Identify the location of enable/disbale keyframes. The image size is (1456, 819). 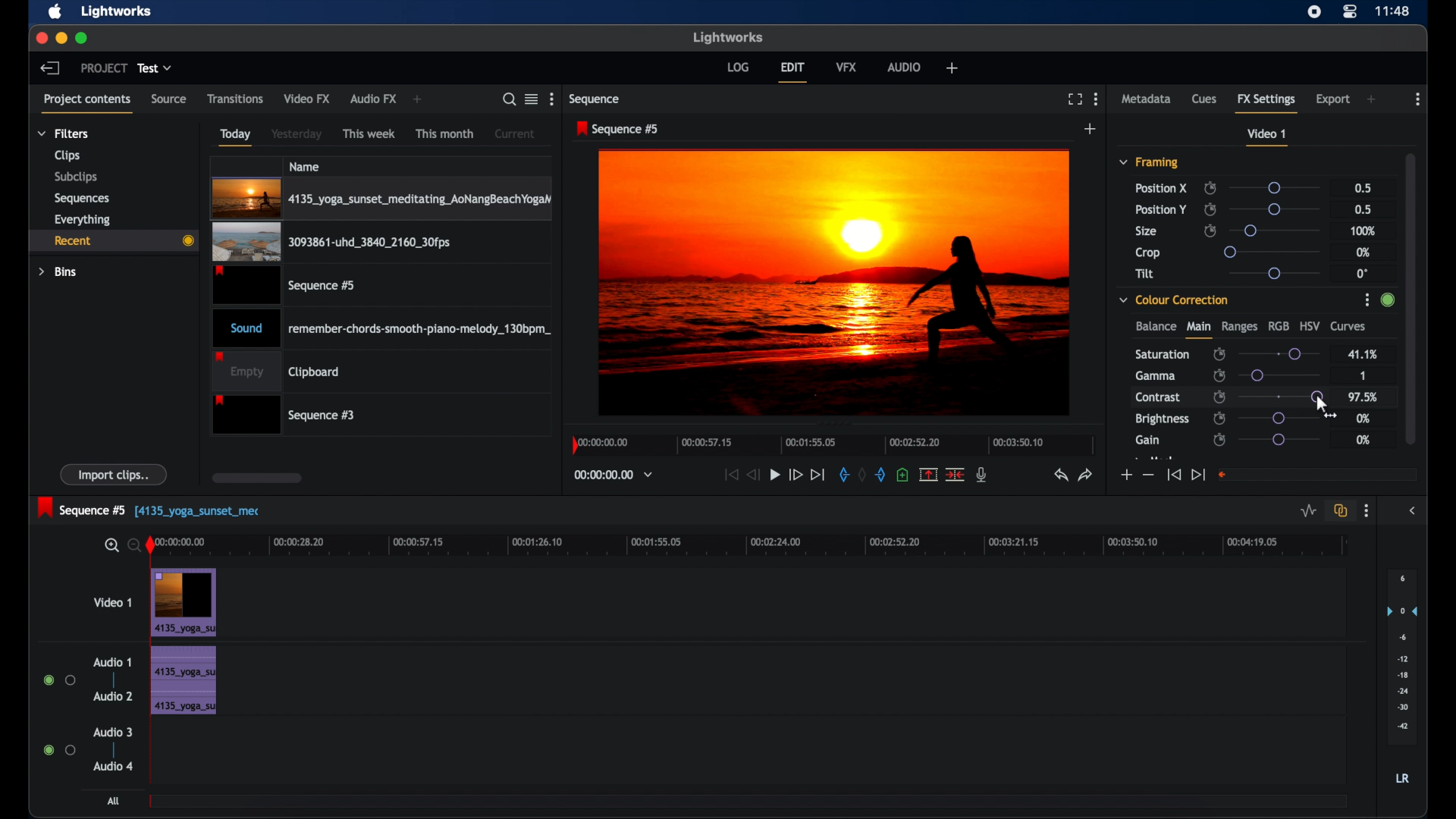
(1220, 353).